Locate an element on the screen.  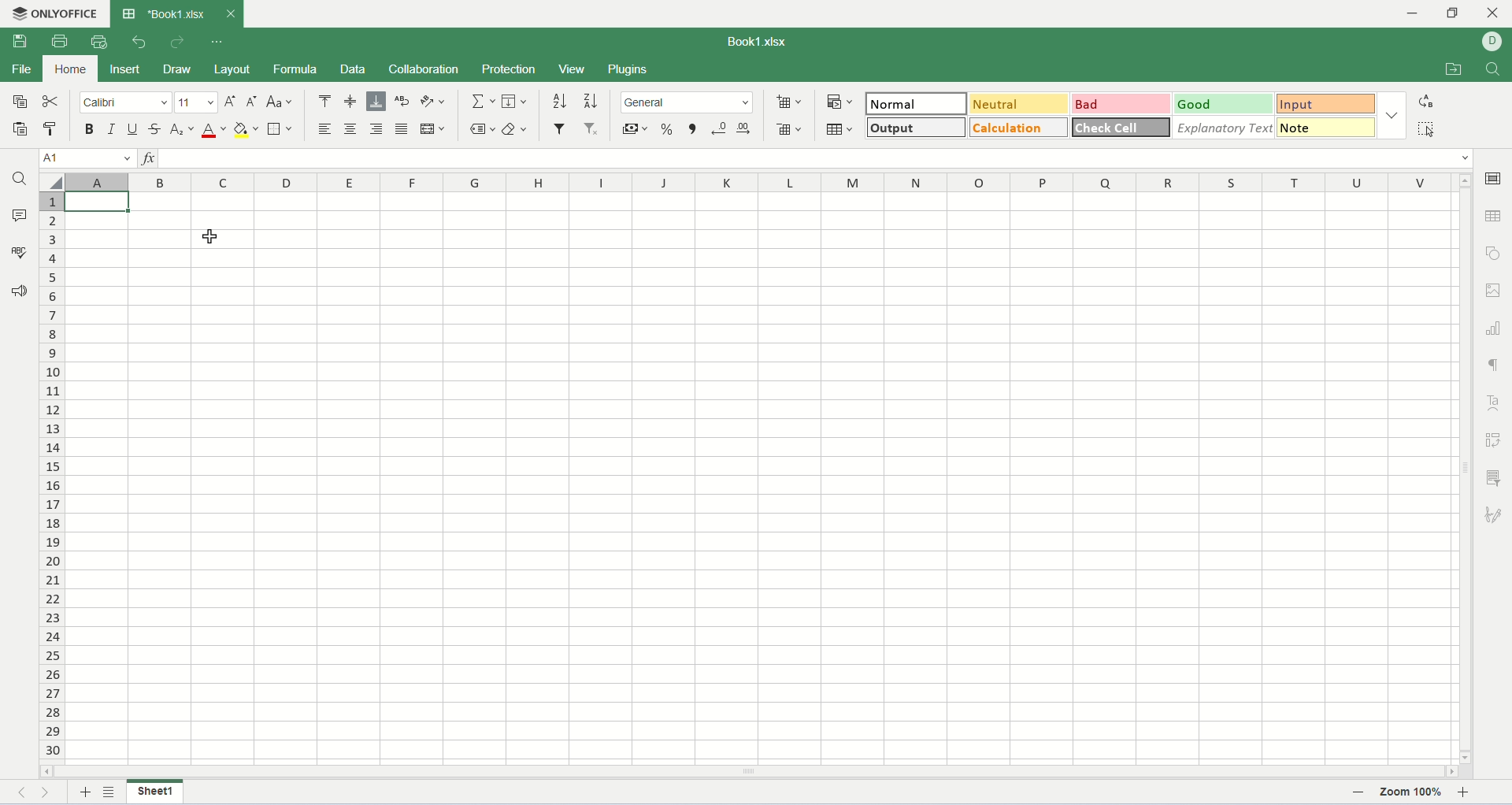
wrap text is located at coordinates (402, 100).